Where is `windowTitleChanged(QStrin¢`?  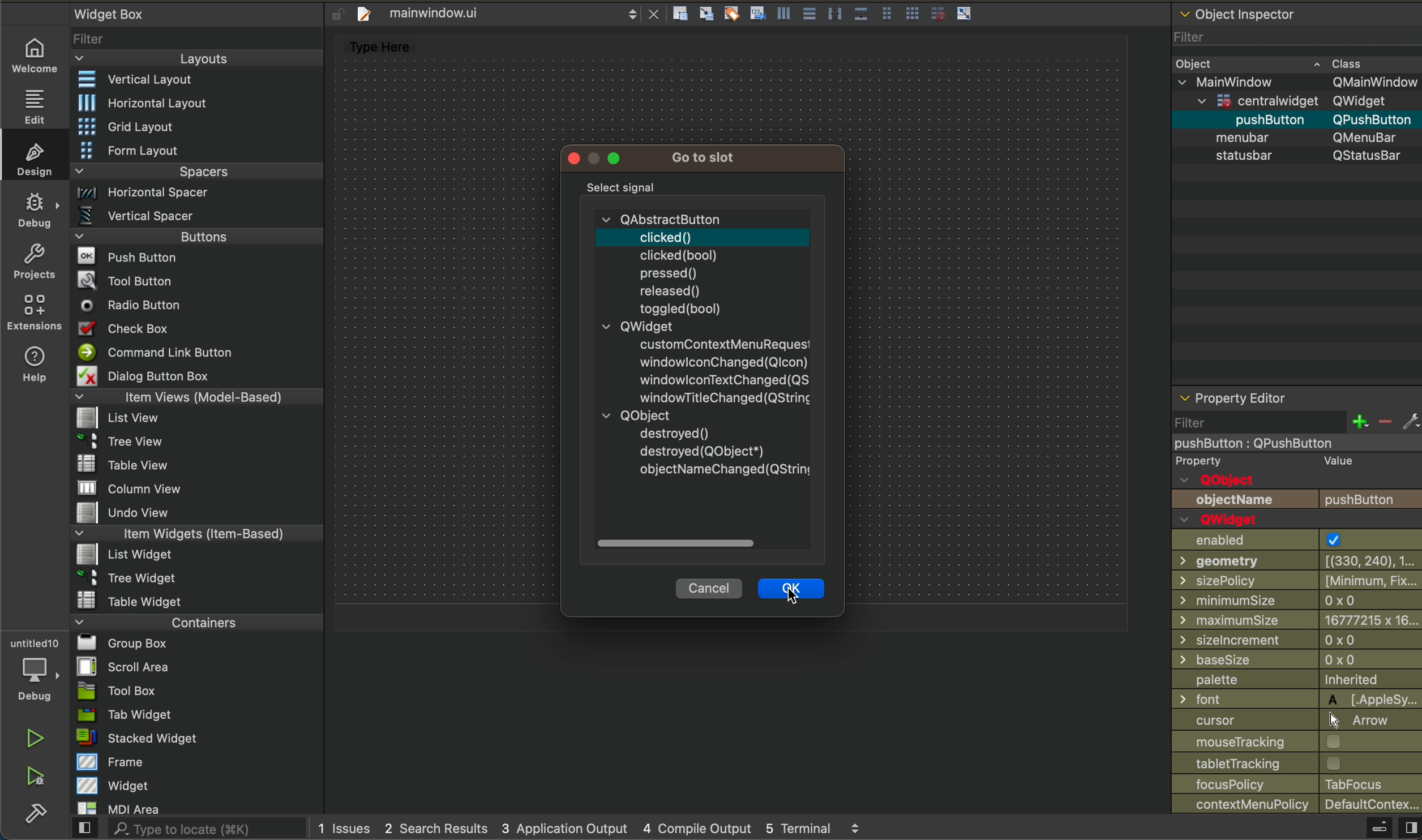 windowTitleChanged(QStrin¢ is located at coordinates (722, 397).